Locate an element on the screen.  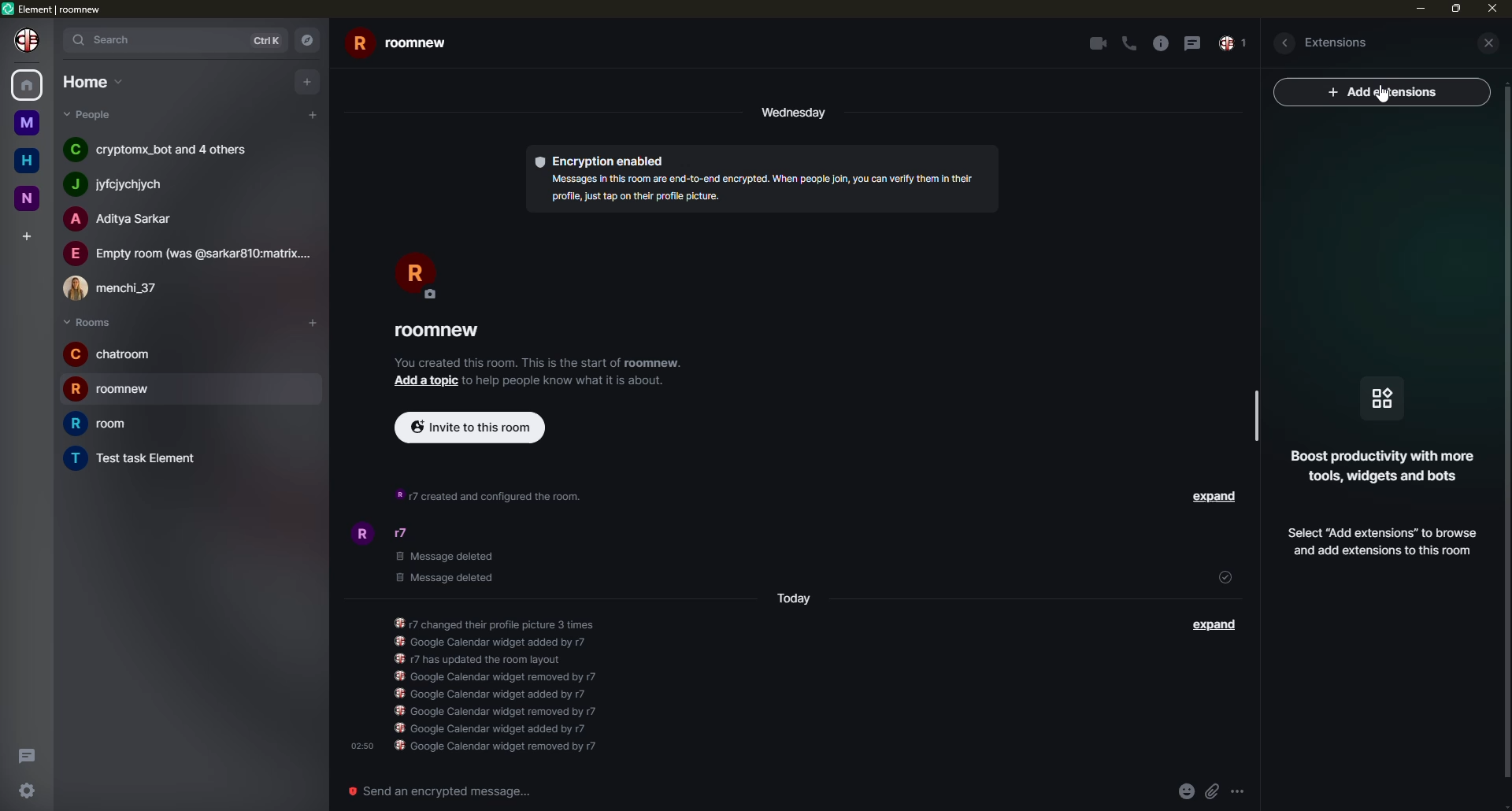
room is located at coordinates (99, 424).